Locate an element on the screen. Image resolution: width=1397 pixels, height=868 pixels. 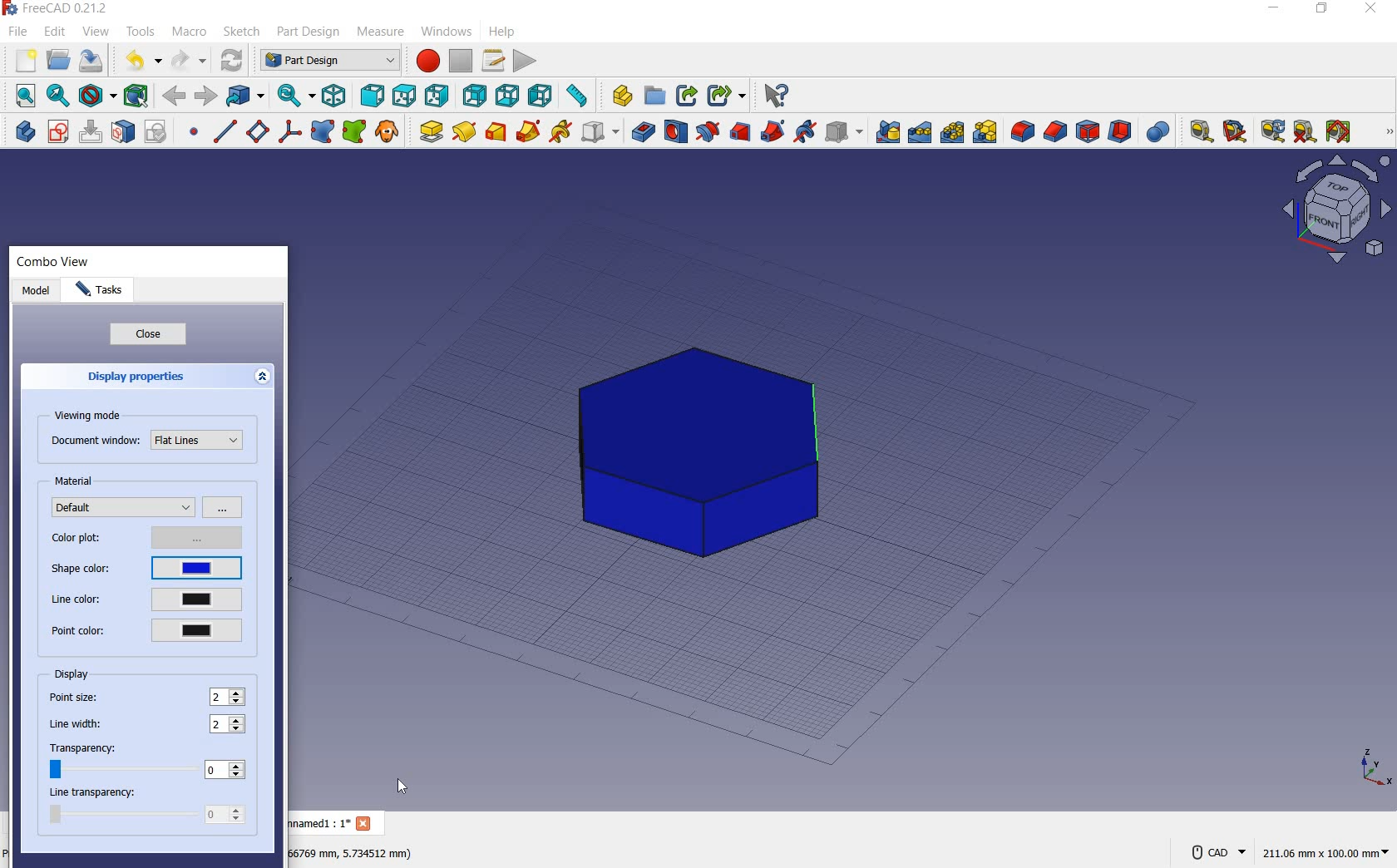
unnamed1 : 1* is located at coordinates (318, 822).